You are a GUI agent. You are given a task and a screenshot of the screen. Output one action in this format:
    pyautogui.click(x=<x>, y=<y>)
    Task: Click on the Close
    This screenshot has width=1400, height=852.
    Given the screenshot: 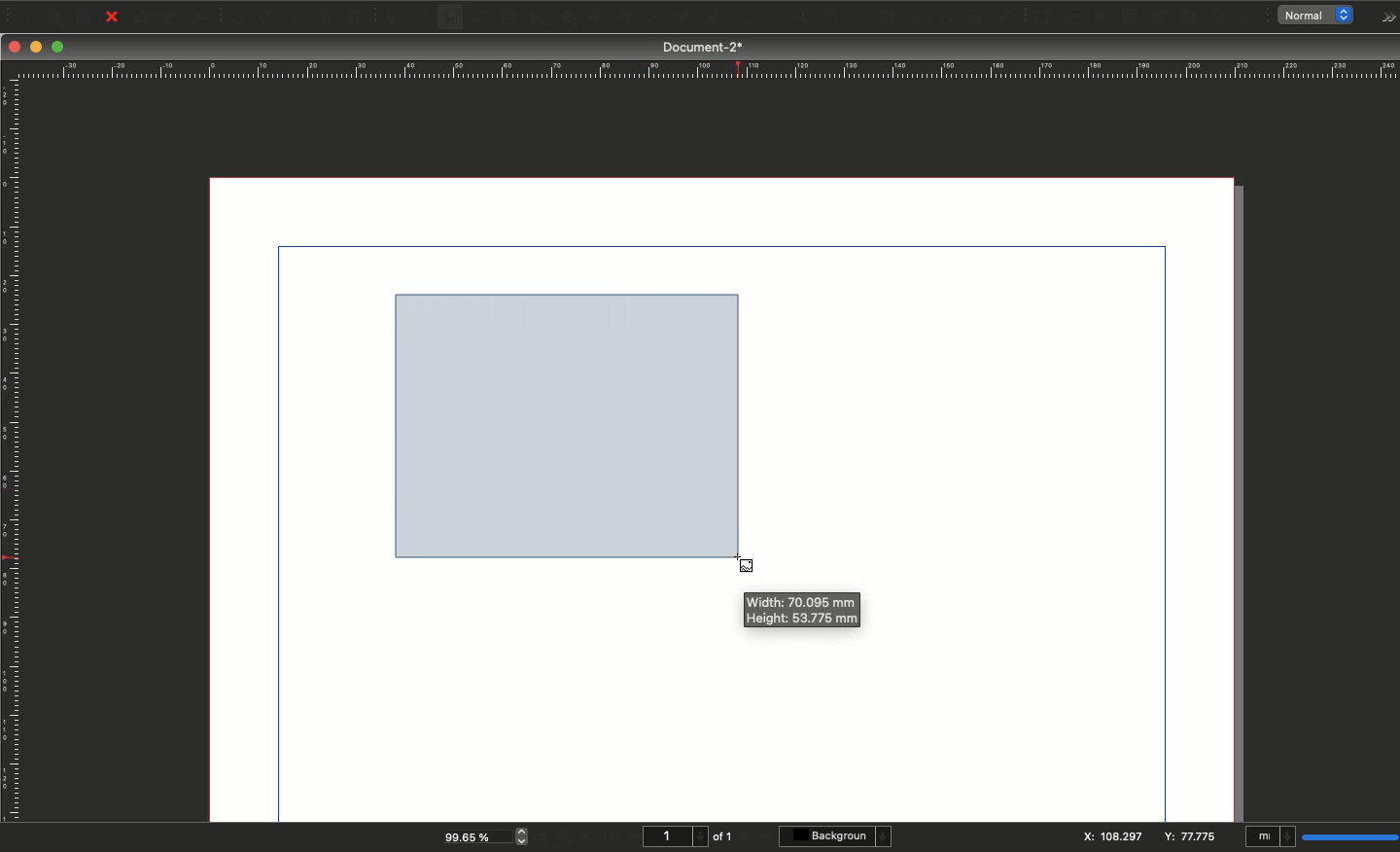 What is the action you would take?
    pyautogui.click(x=15, y=47)
    